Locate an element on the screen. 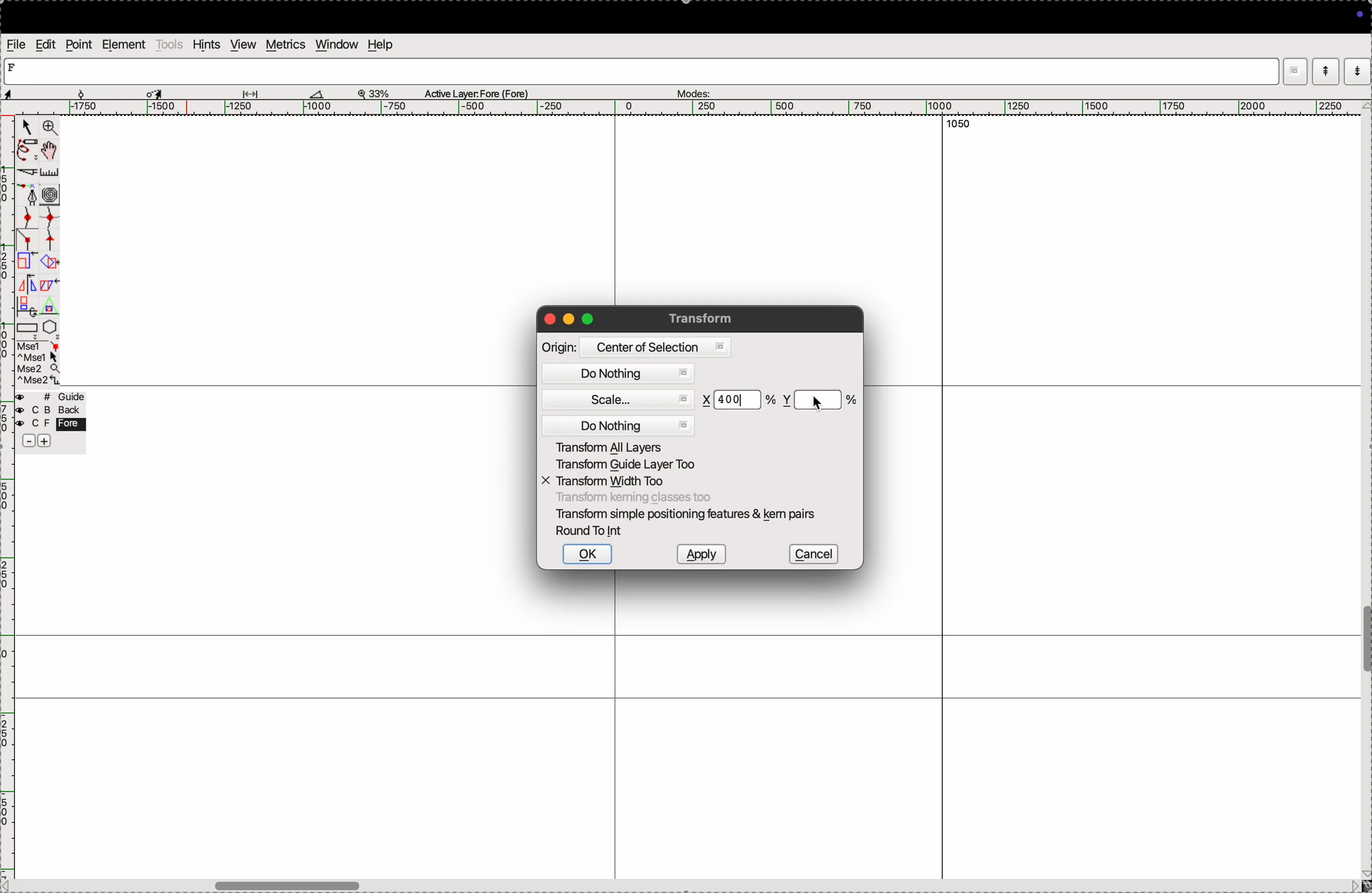  mode up is located at coordinates (1324, 71).